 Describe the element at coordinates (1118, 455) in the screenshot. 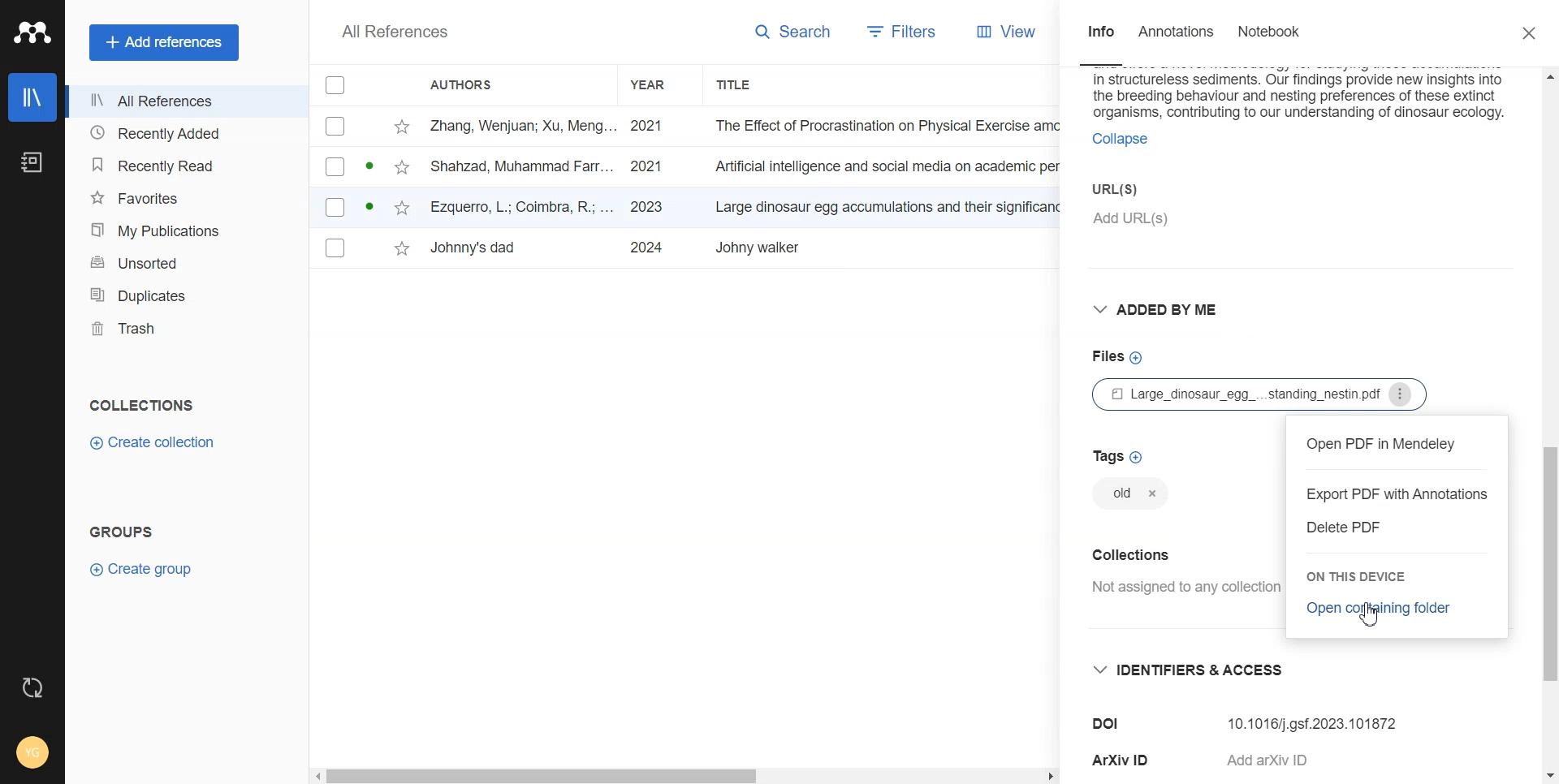

I see `Add Tags` at that location.